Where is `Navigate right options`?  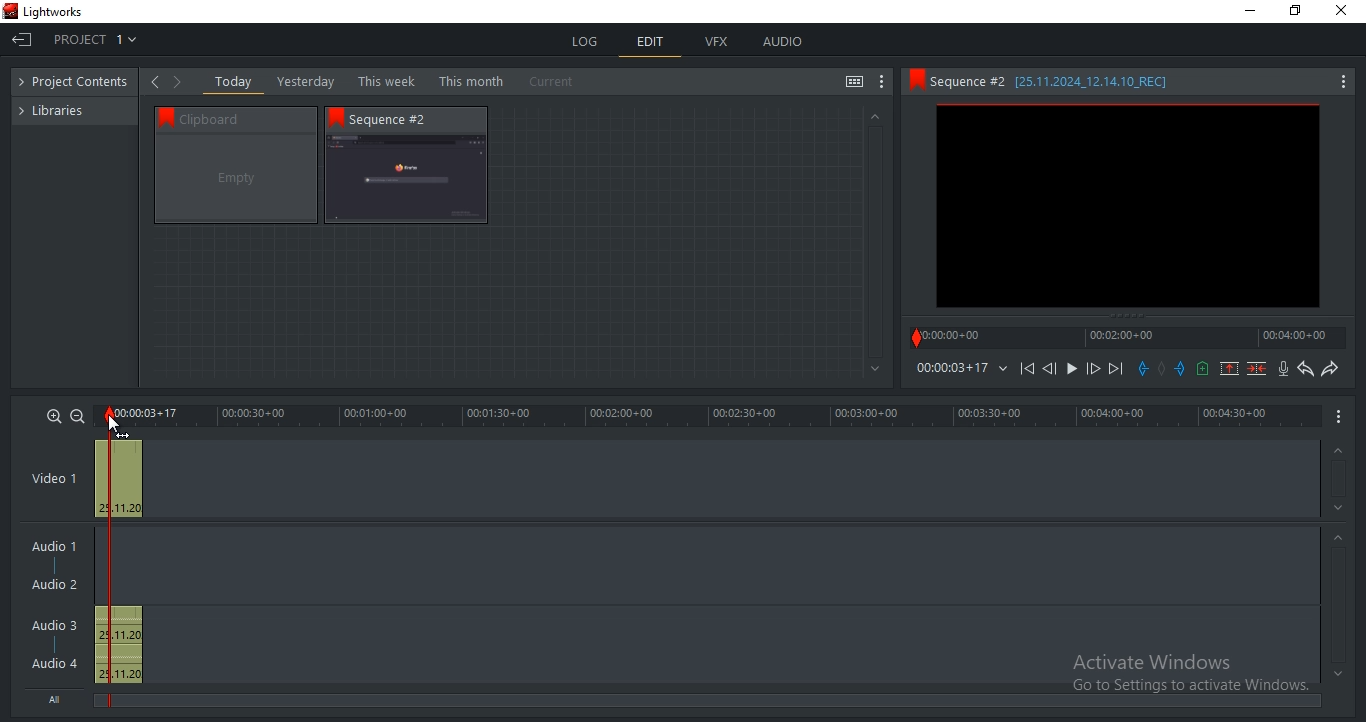 Navigate right options is located at coordinates (181, 82).